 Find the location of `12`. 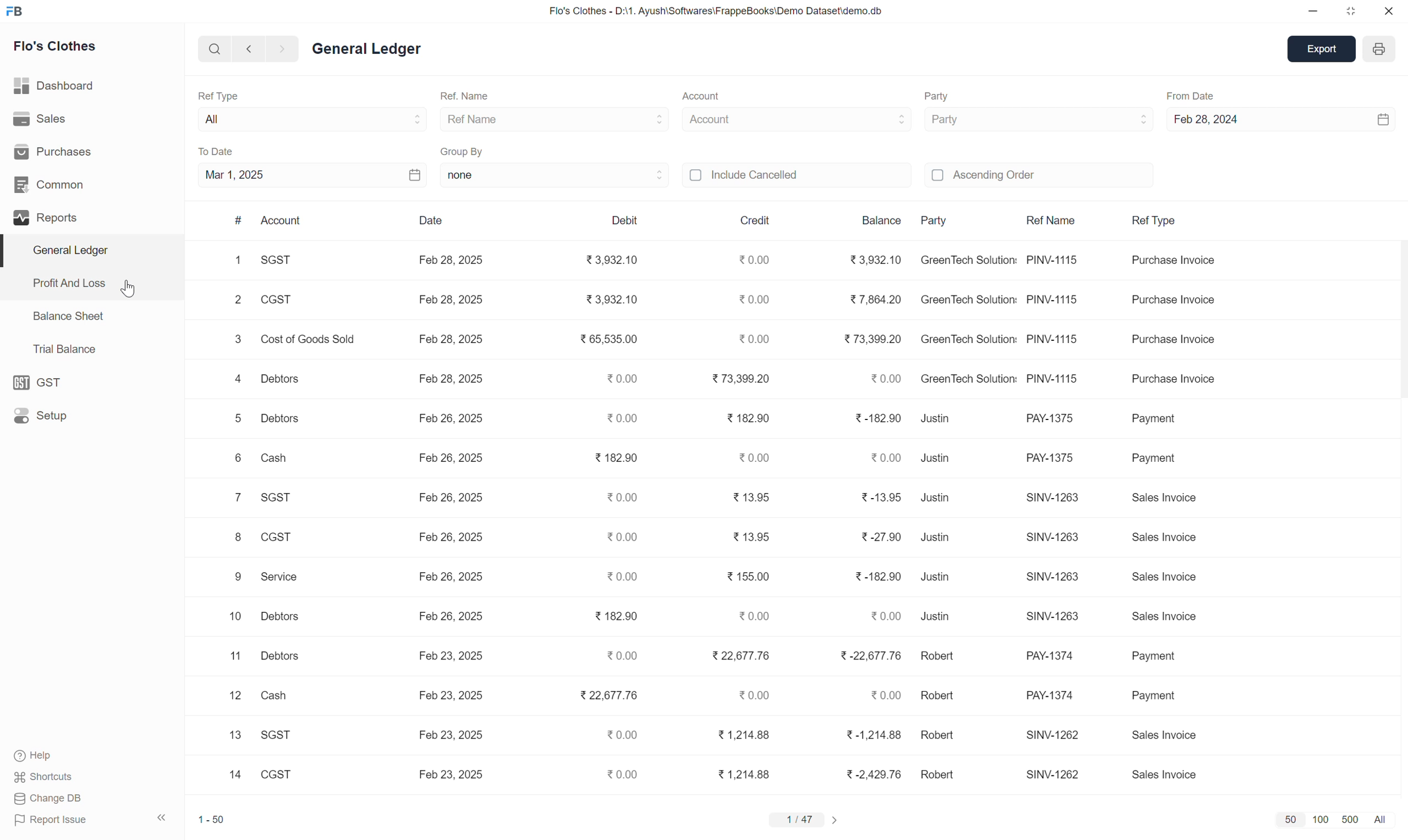

12 is located at coordinates (232, 694).